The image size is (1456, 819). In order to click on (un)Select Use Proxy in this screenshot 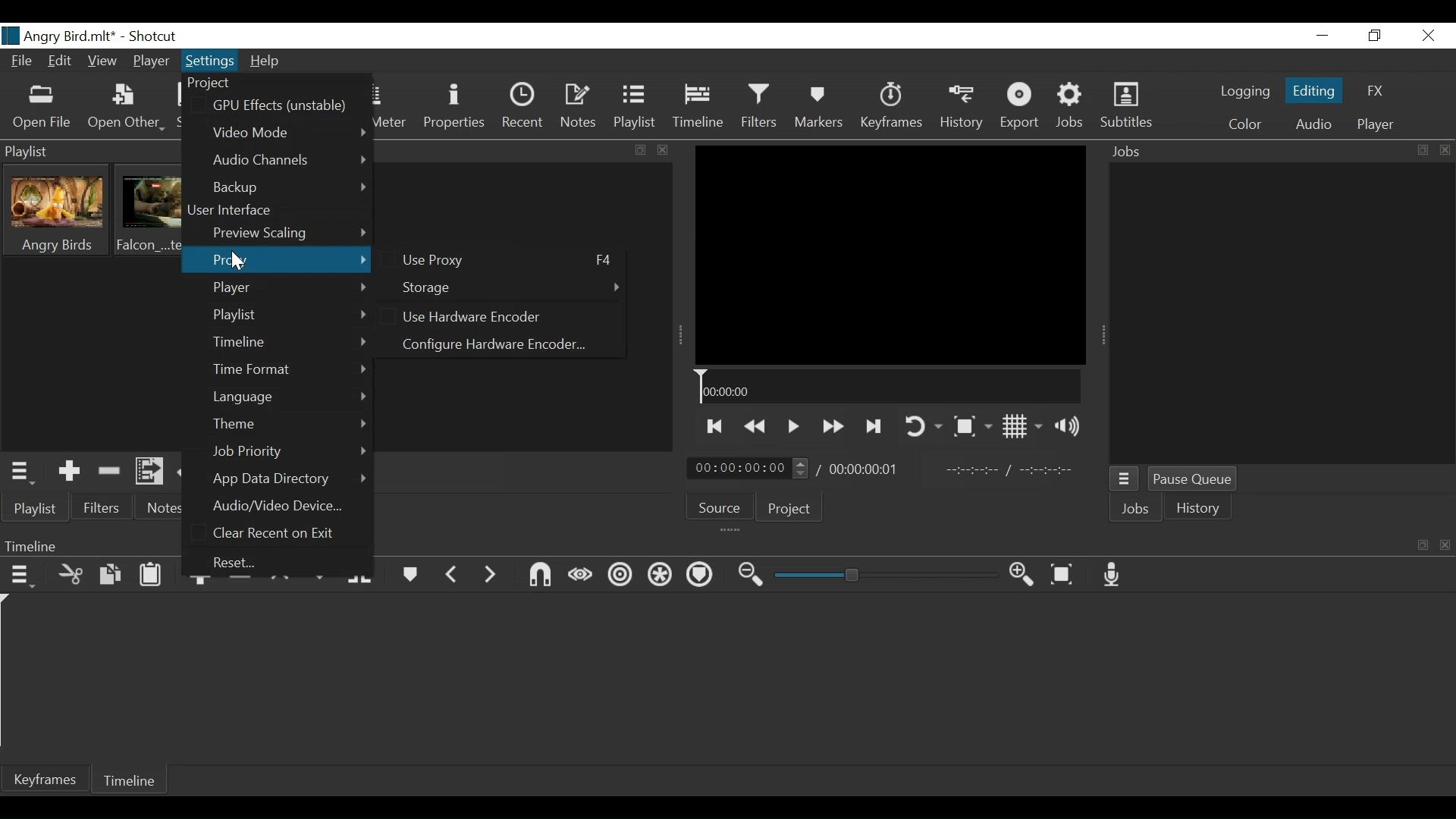, I will do `click(501, 261)`.